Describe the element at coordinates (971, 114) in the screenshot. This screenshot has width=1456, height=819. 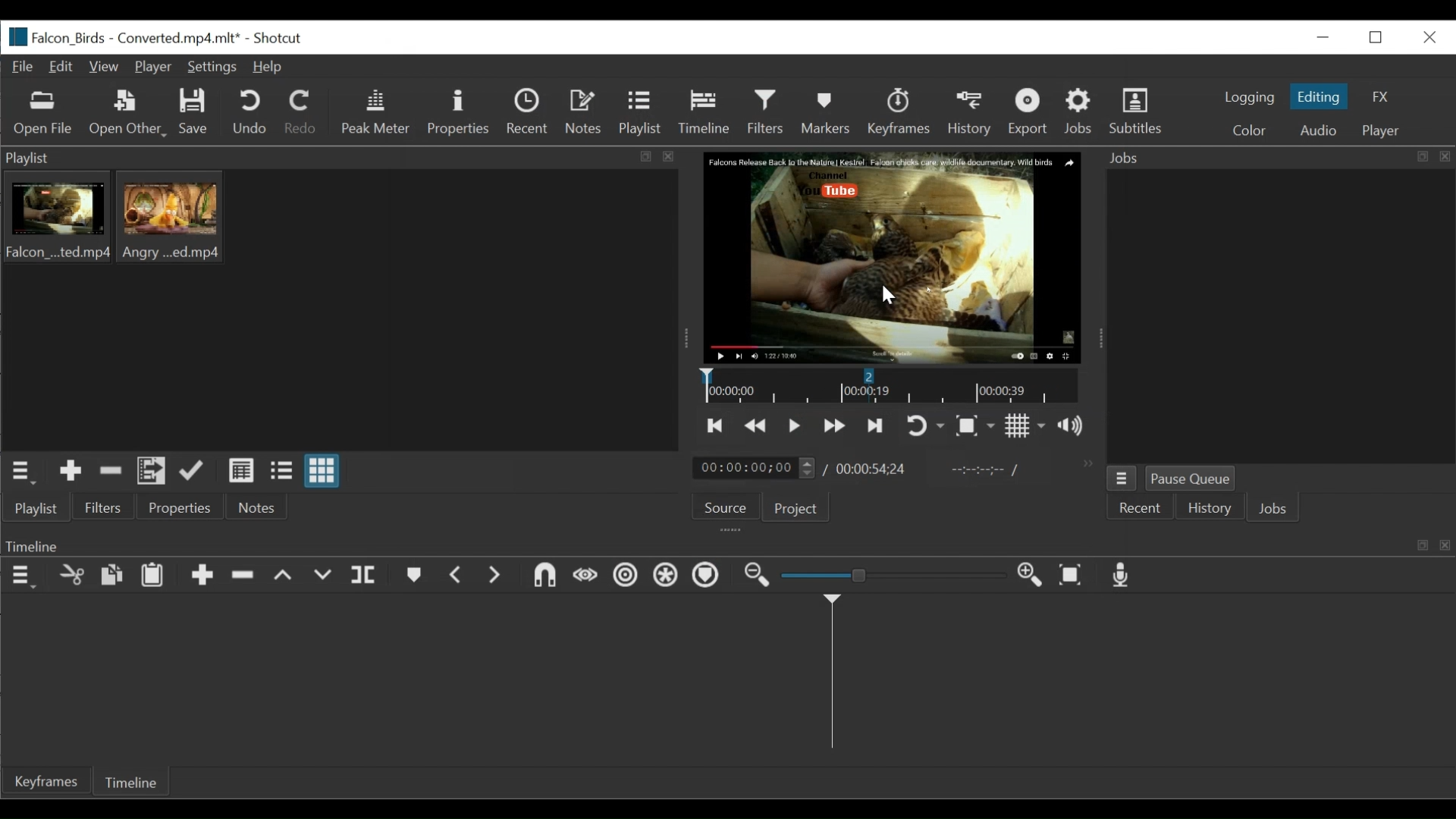
I see `History` at that location.